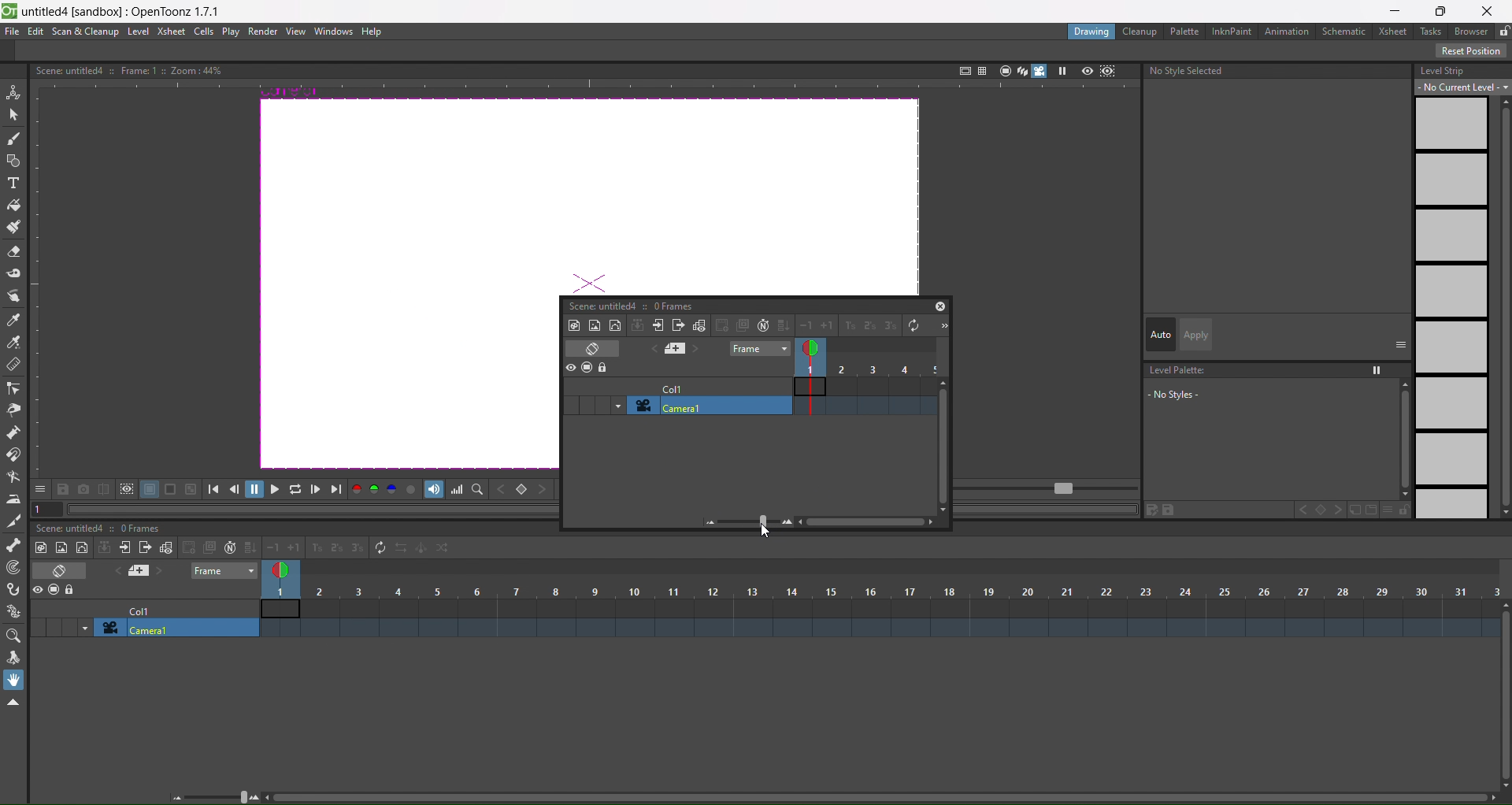  Describe the element at coordinates (1161, 336) in the screenshot. I see `auto` at that location.